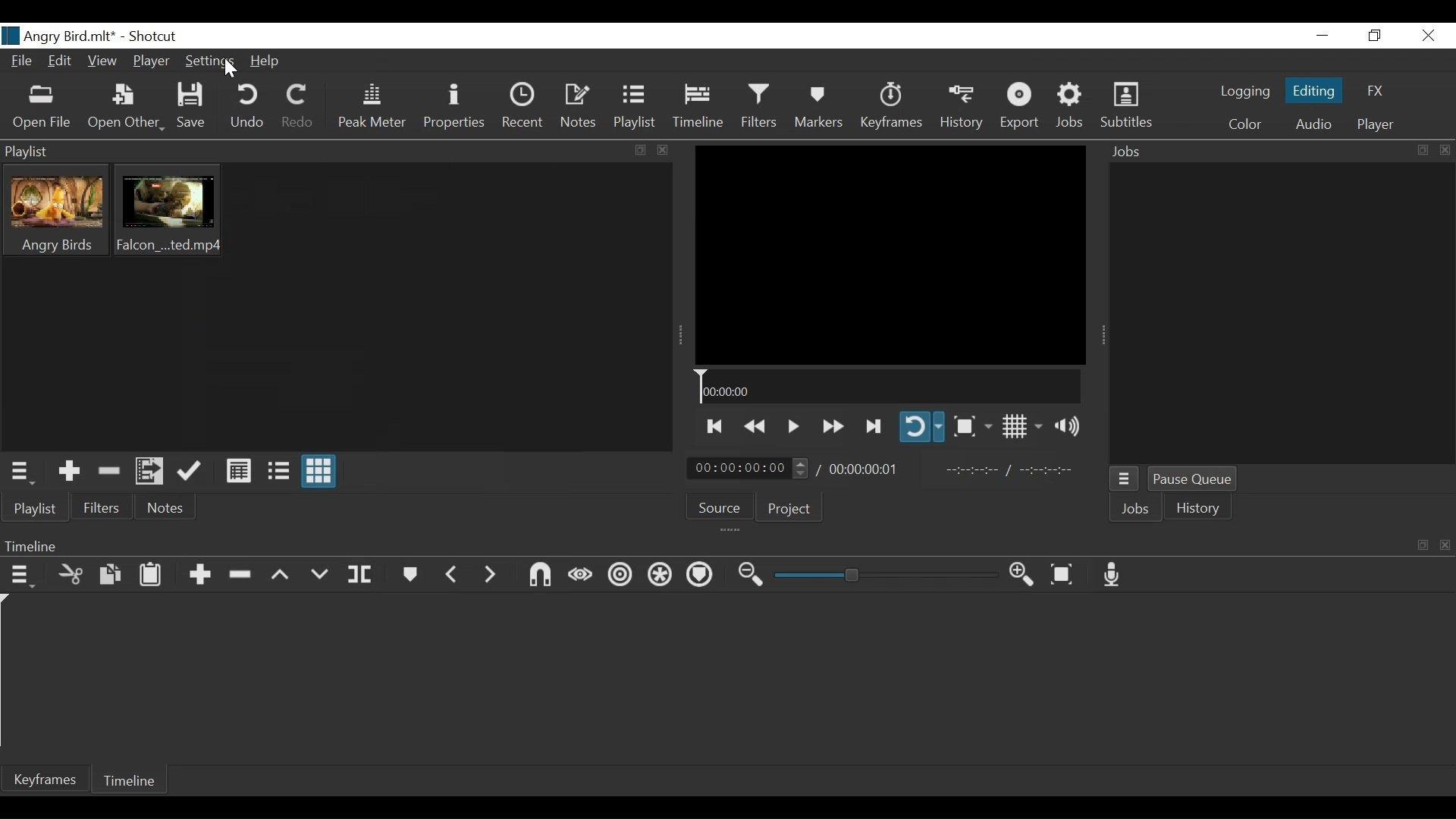  What do you see at coordinates (361, 577) in the screenshot?
I see `Split at playhead` at bounding box center [361, 577].